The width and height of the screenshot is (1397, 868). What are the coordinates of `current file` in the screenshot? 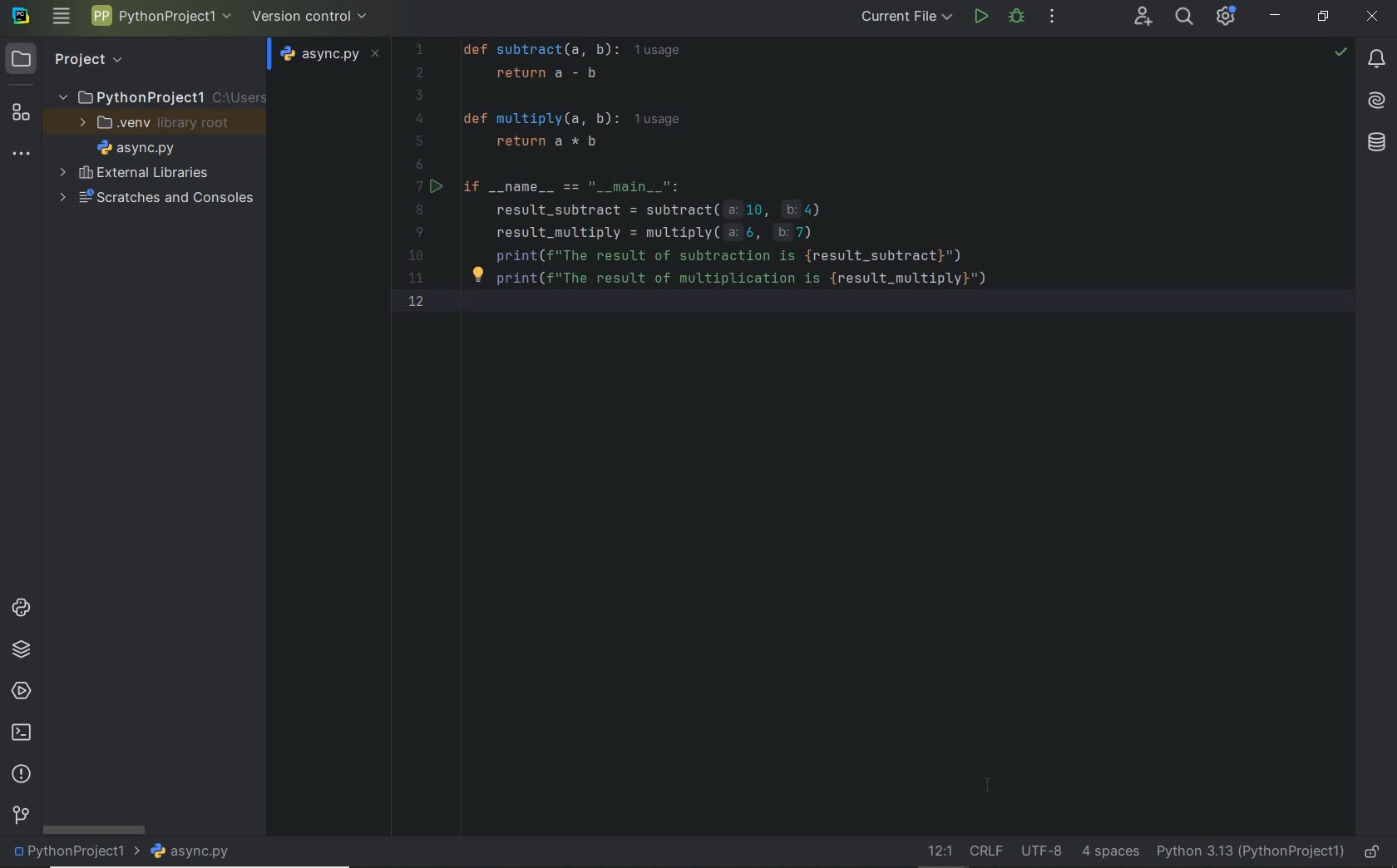 It's located at (901, 18).